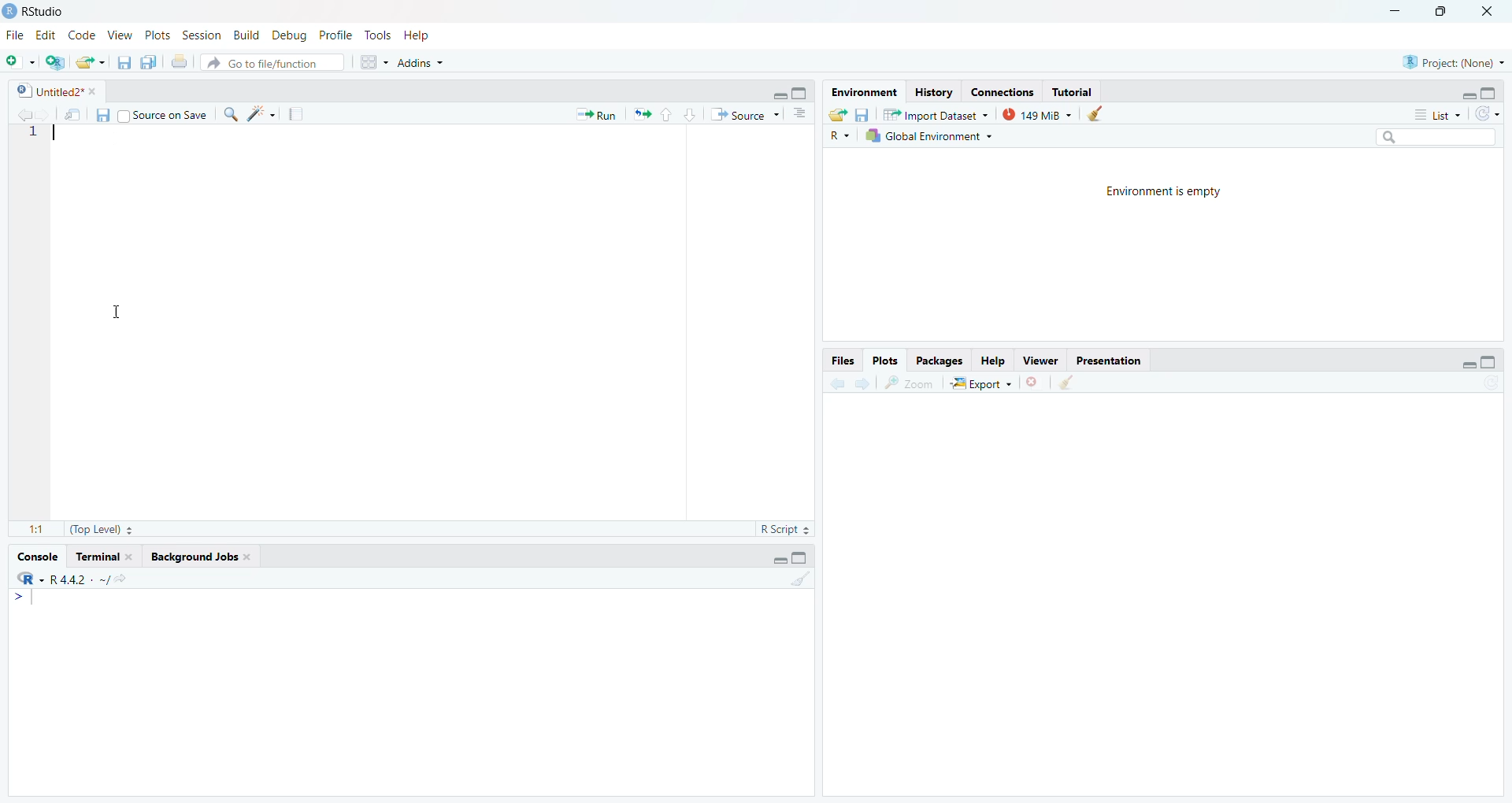  Describe the element at coordinates (376, 35) in the screenshot. I see `Tools` at that location.